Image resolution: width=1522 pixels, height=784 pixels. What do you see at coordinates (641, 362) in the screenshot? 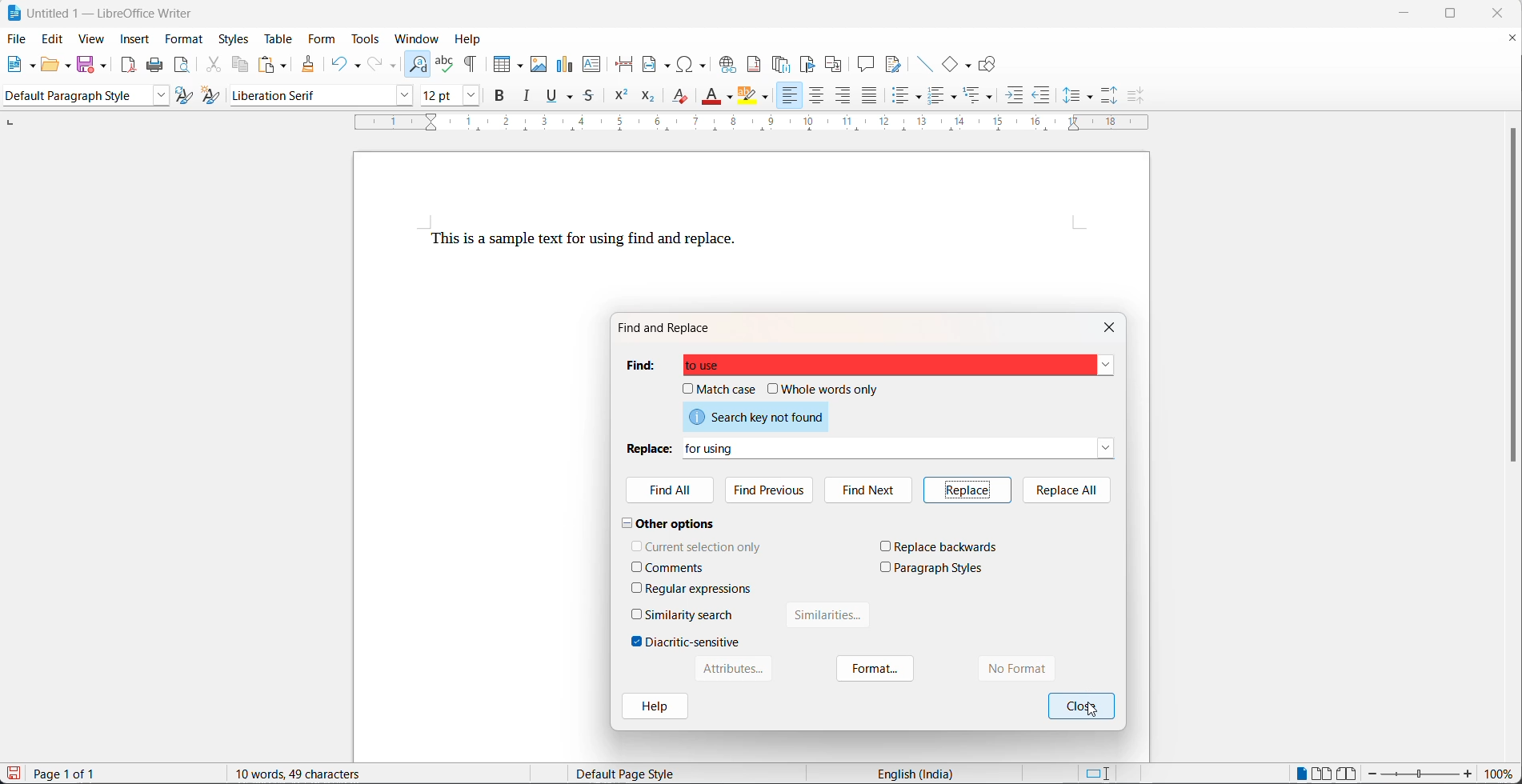
I see `find heading` at bounding box center [641, 362].